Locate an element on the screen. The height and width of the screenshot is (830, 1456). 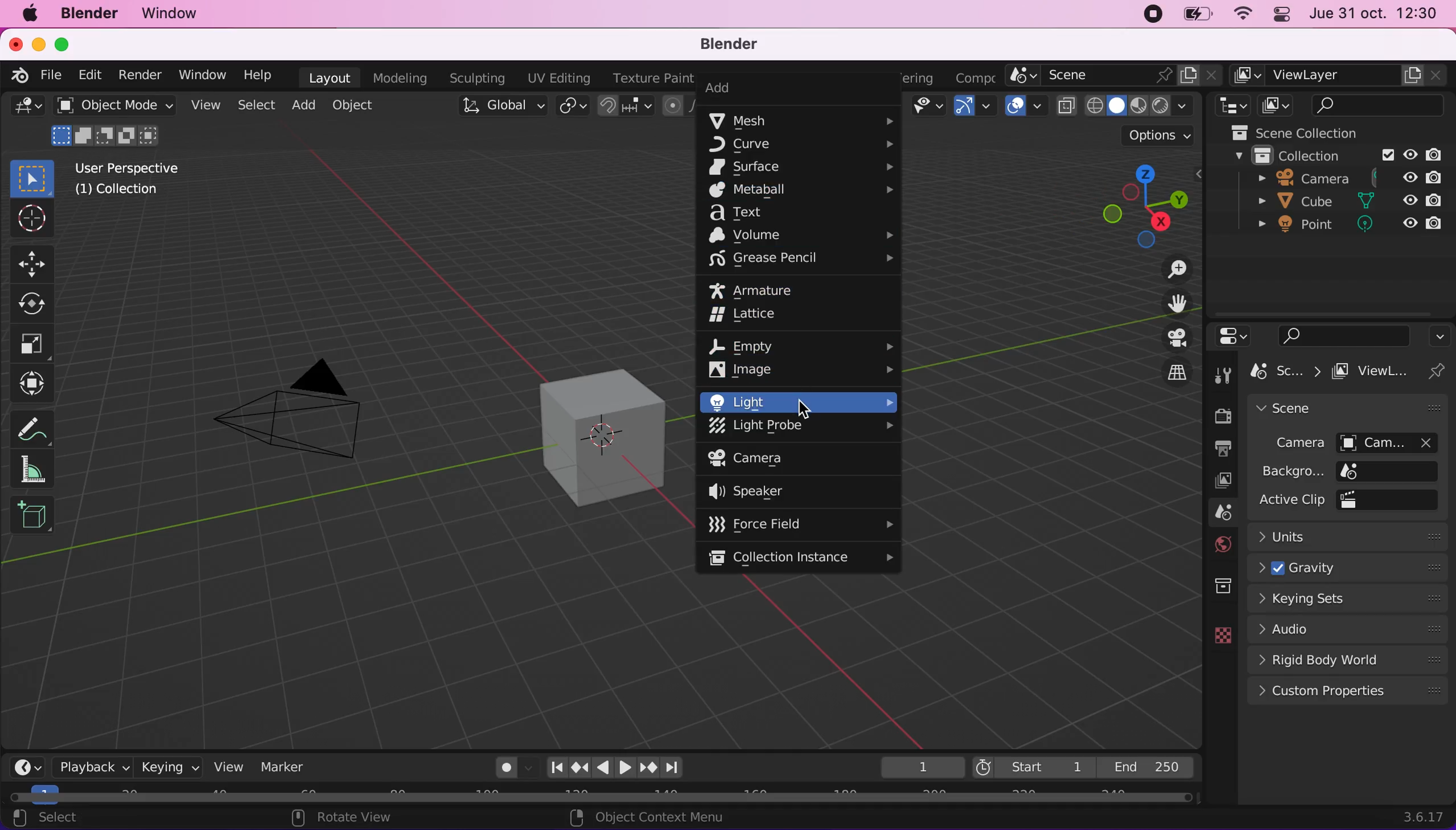
active clip is located at coordinates (1393, 499).